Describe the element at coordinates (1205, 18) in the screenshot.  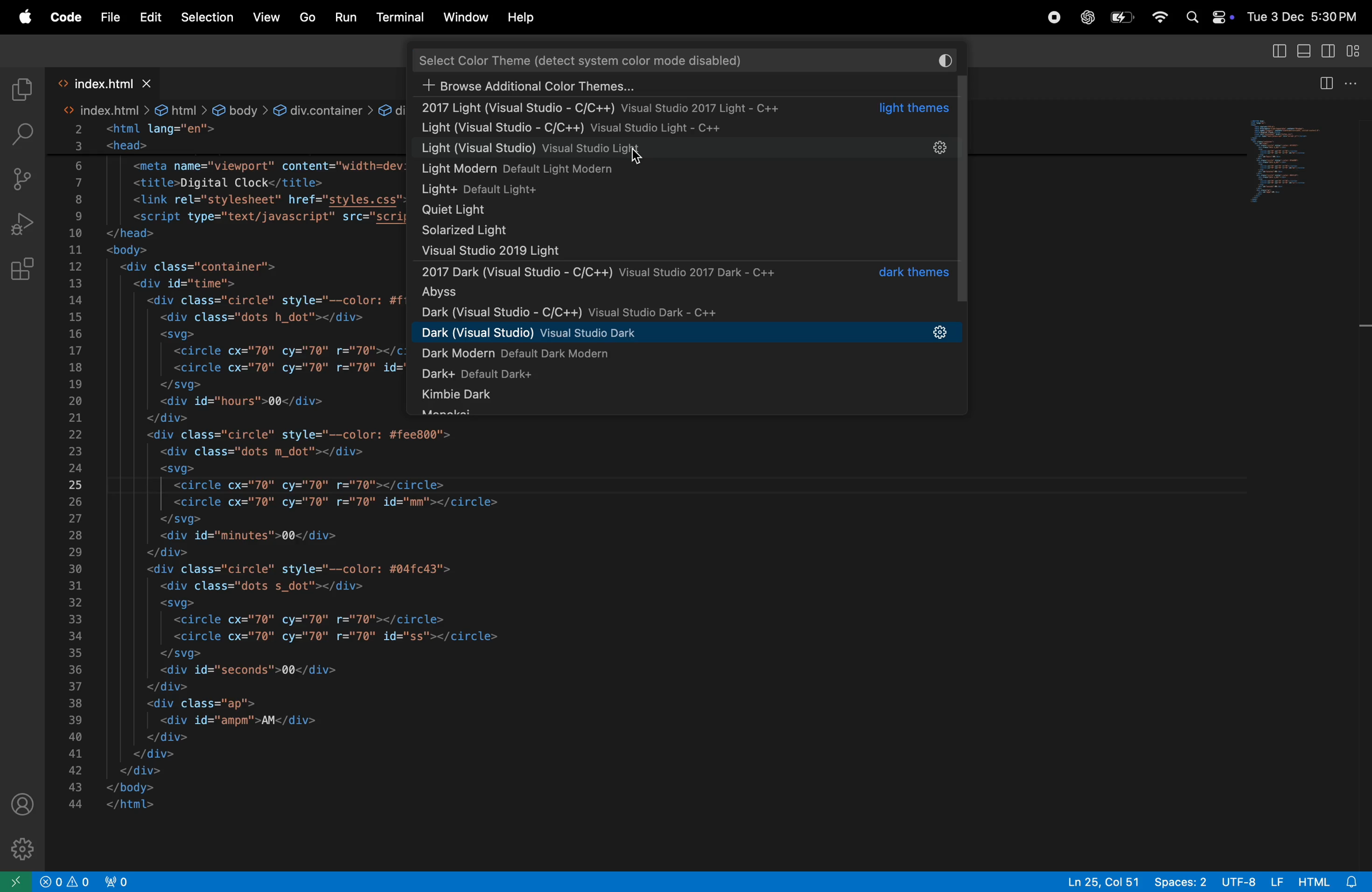
I see `apple widgets` at that location.